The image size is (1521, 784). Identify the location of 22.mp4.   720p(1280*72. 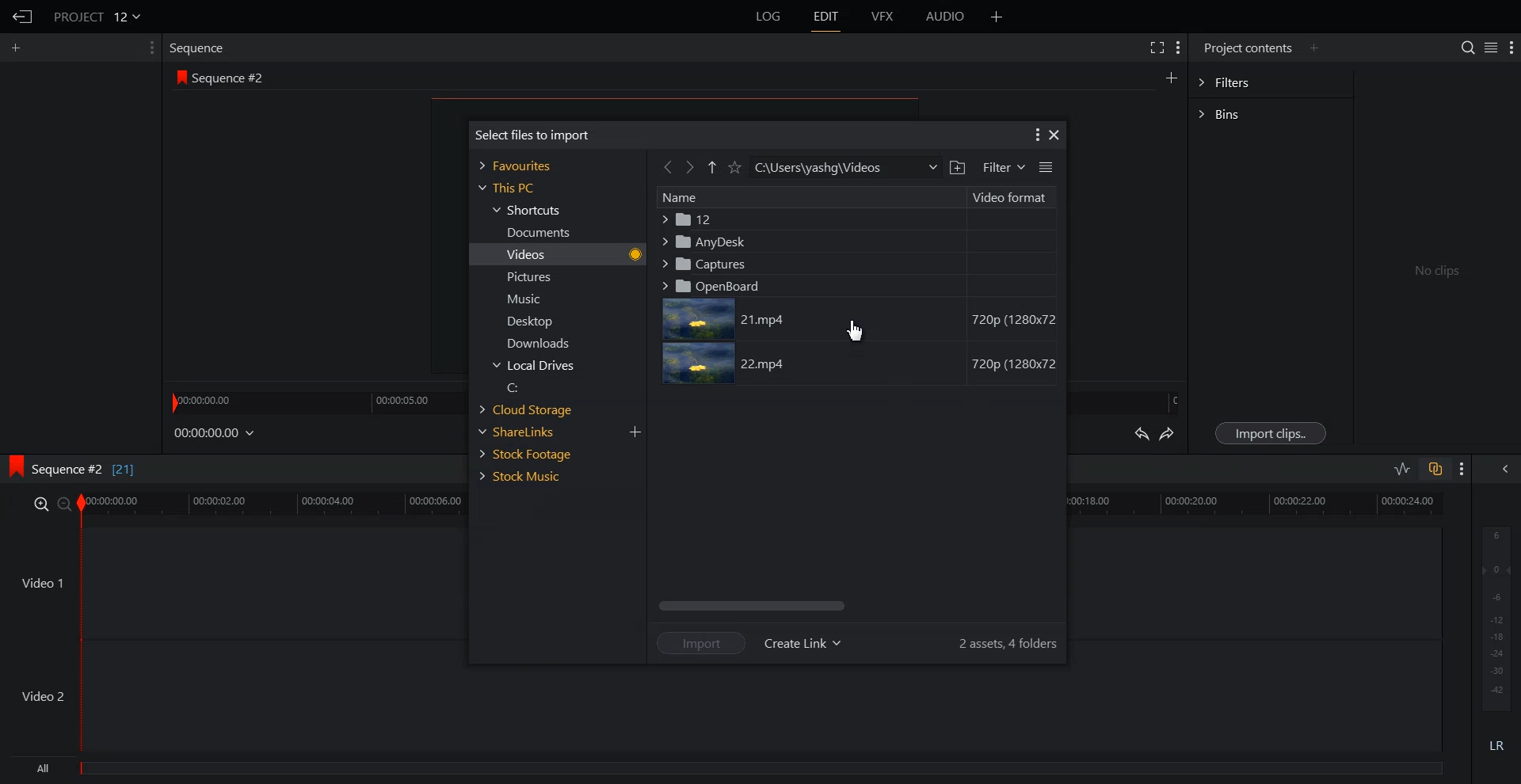
(860, 364).